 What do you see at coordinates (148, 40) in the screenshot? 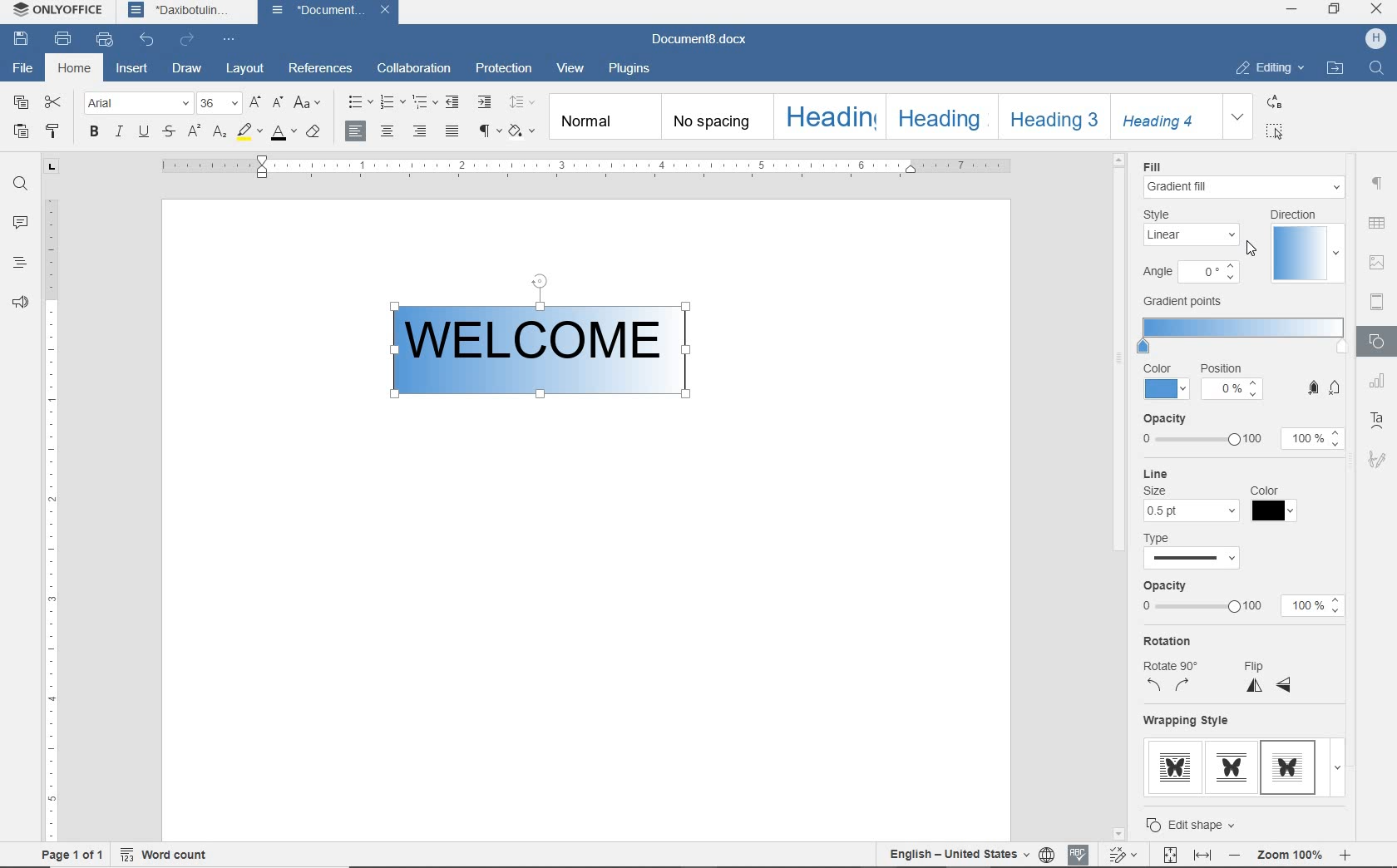
I see `UNDO` at bounding box center [148, 40].